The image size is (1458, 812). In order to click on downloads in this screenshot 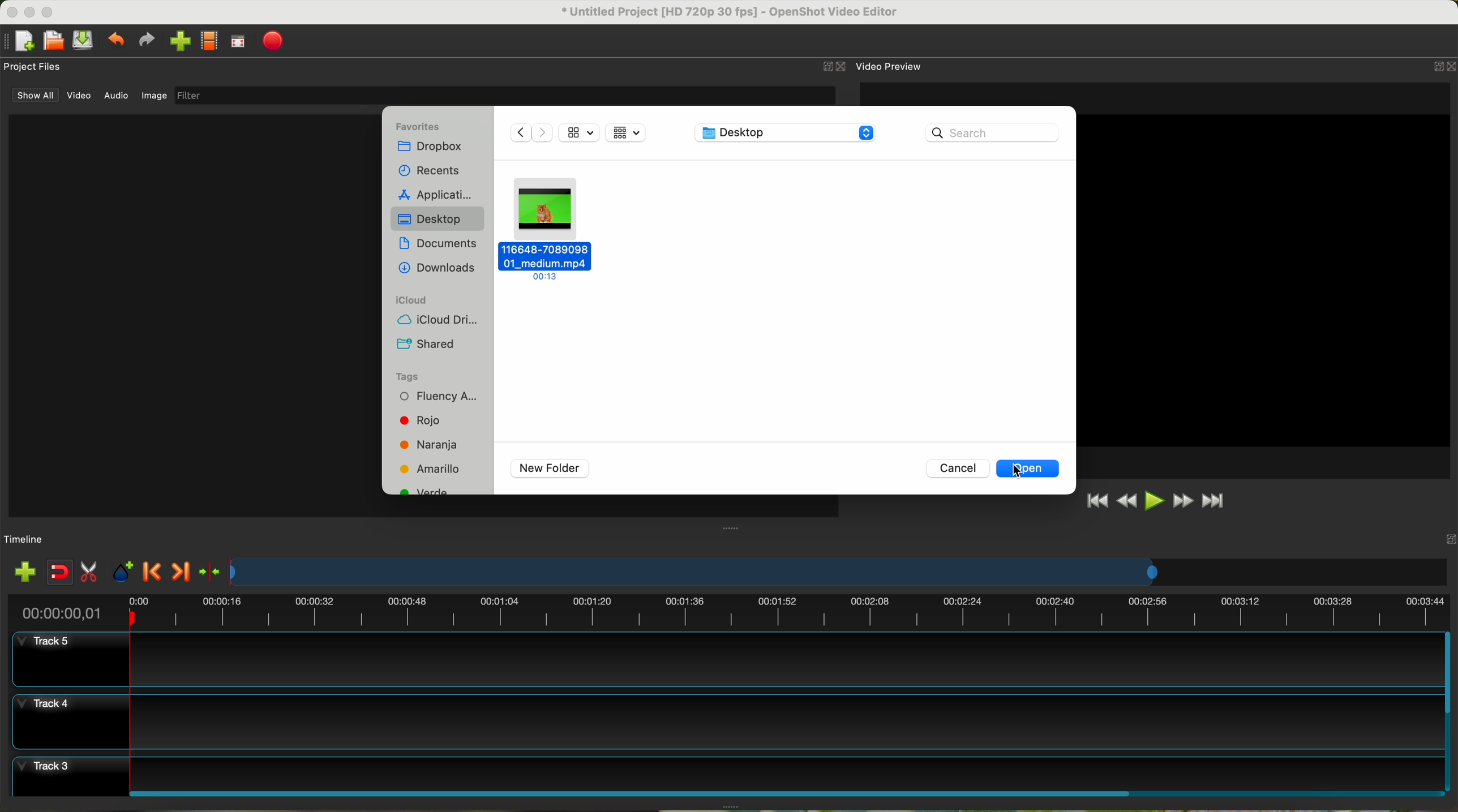, I will do `click(437, 269)`.